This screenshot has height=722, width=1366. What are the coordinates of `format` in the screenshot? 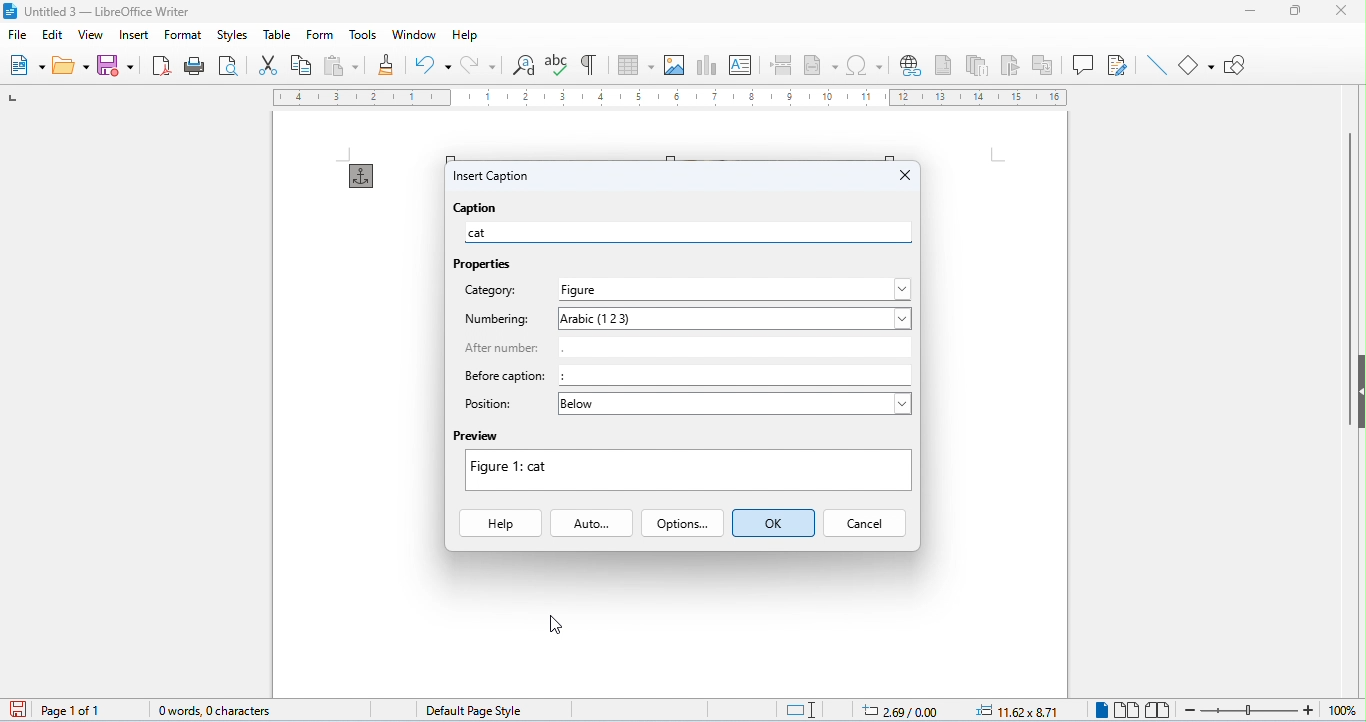 It's located at (183, 35).